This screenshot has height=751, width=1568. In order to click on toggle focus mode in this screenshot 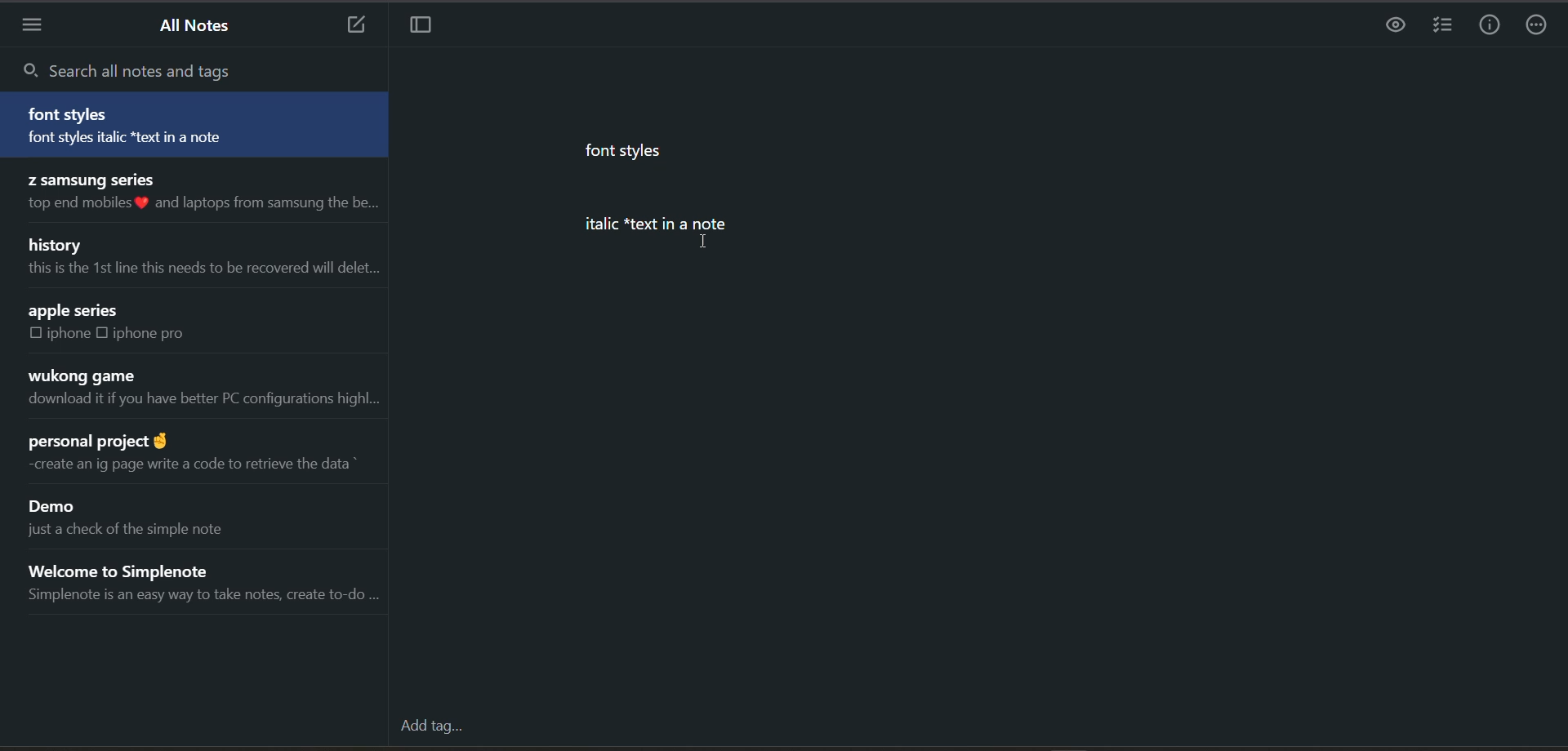, I will do `click(431, 28)`.